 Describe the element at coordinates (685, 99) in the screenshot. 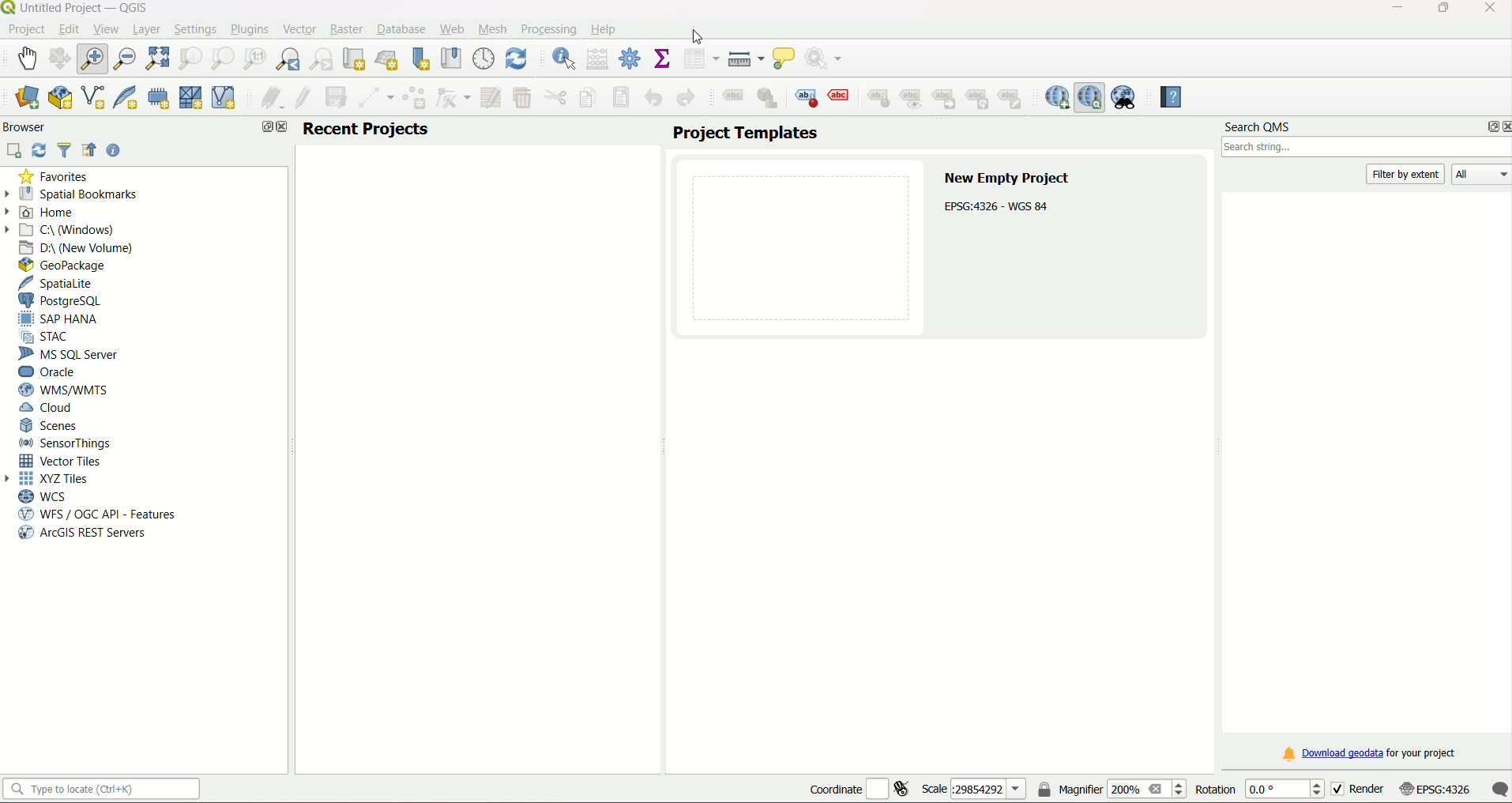

I see `redo` at that location.